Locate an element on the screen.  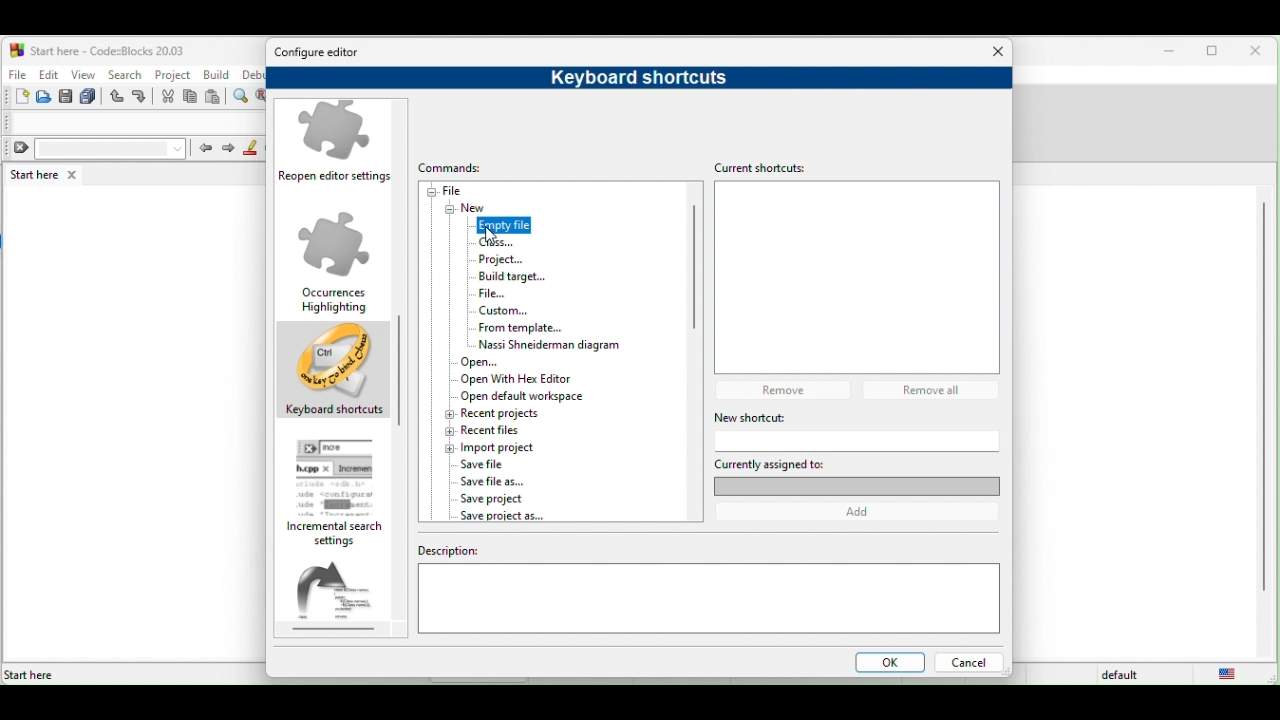
start here is located at coordinates (47, 174).